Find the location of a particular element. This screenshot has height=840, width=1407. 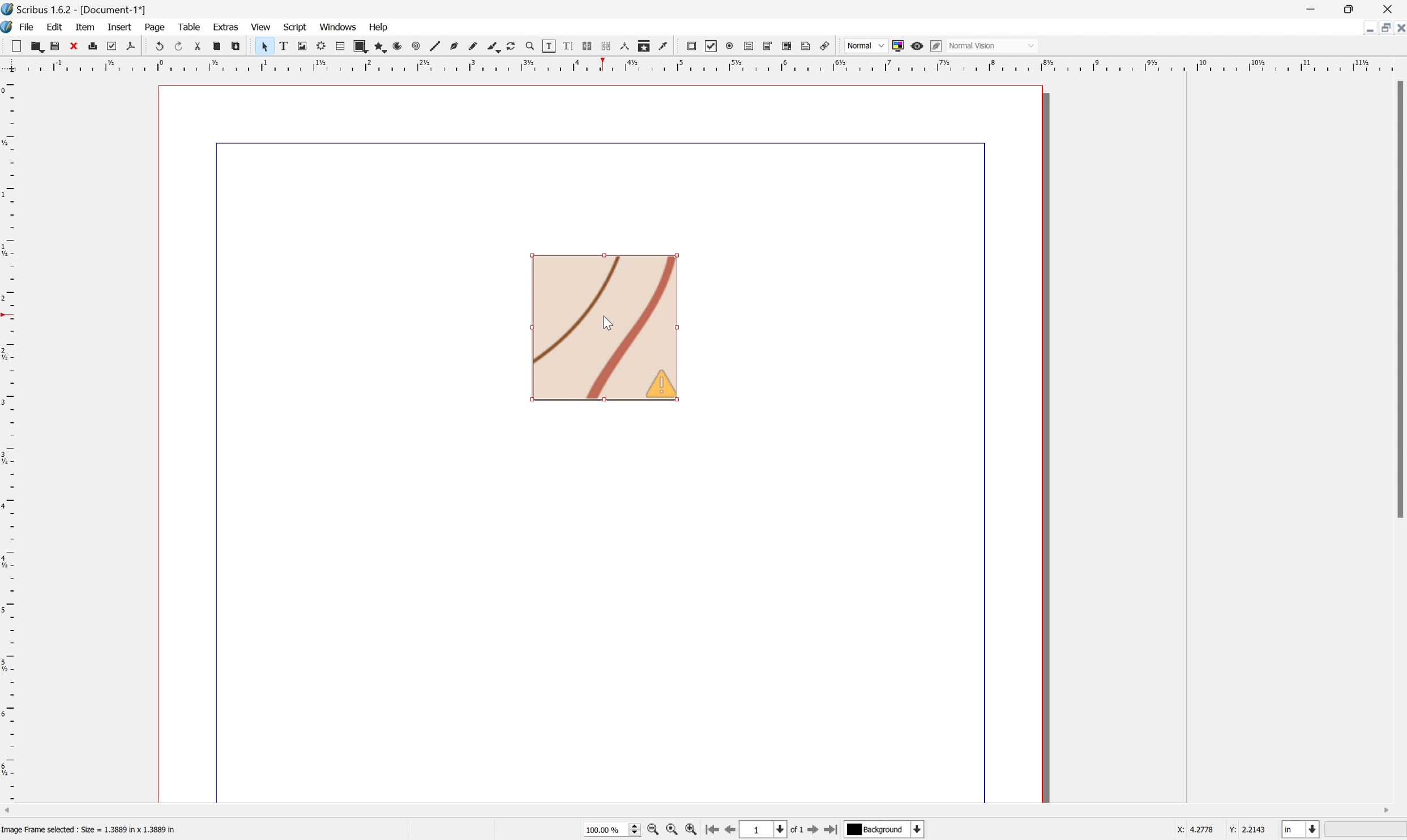

Zoom to 100% is located at coordinates (674, 830).